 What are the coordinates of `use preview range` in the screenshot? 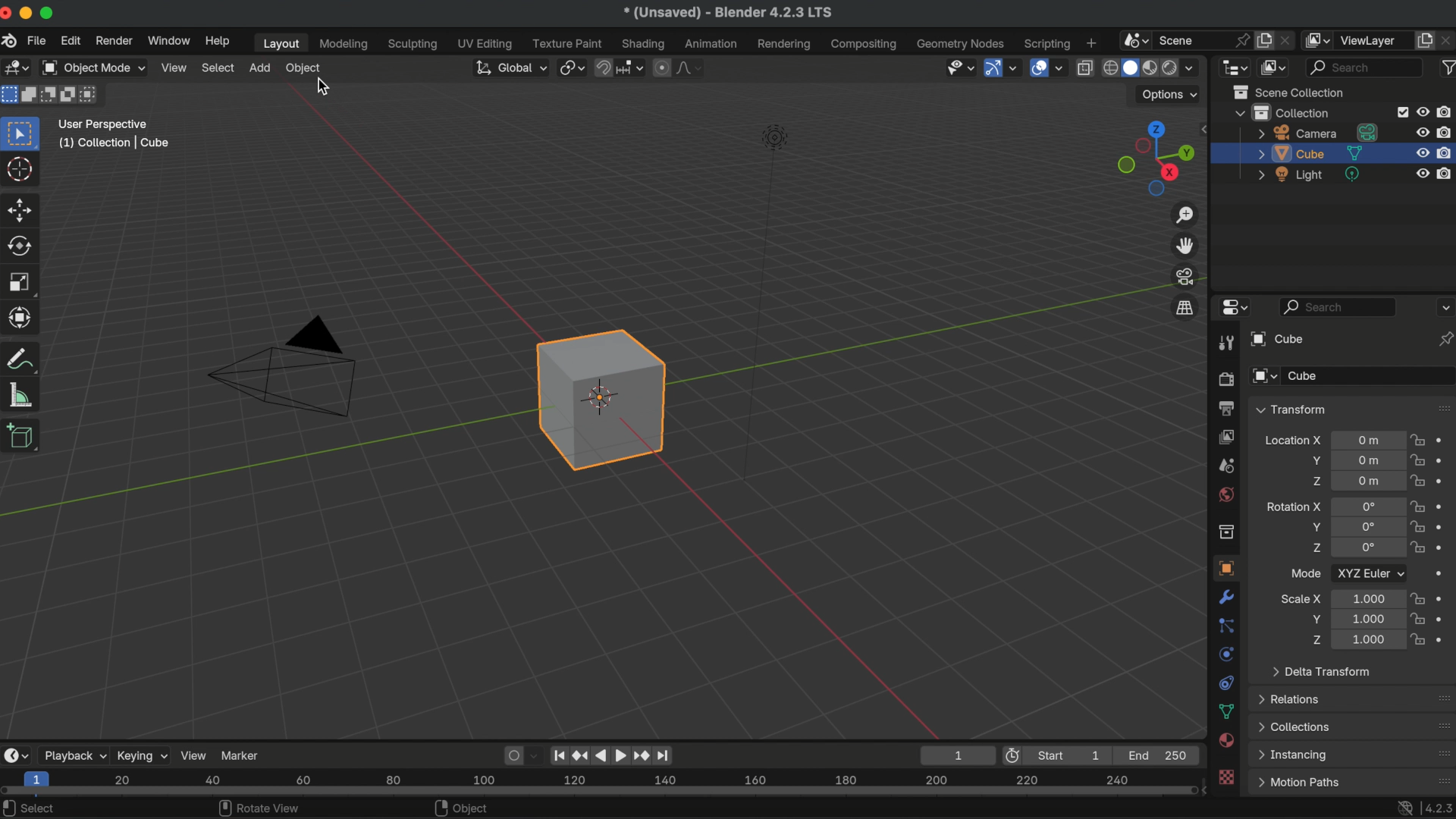 It's located at (1015, 755).